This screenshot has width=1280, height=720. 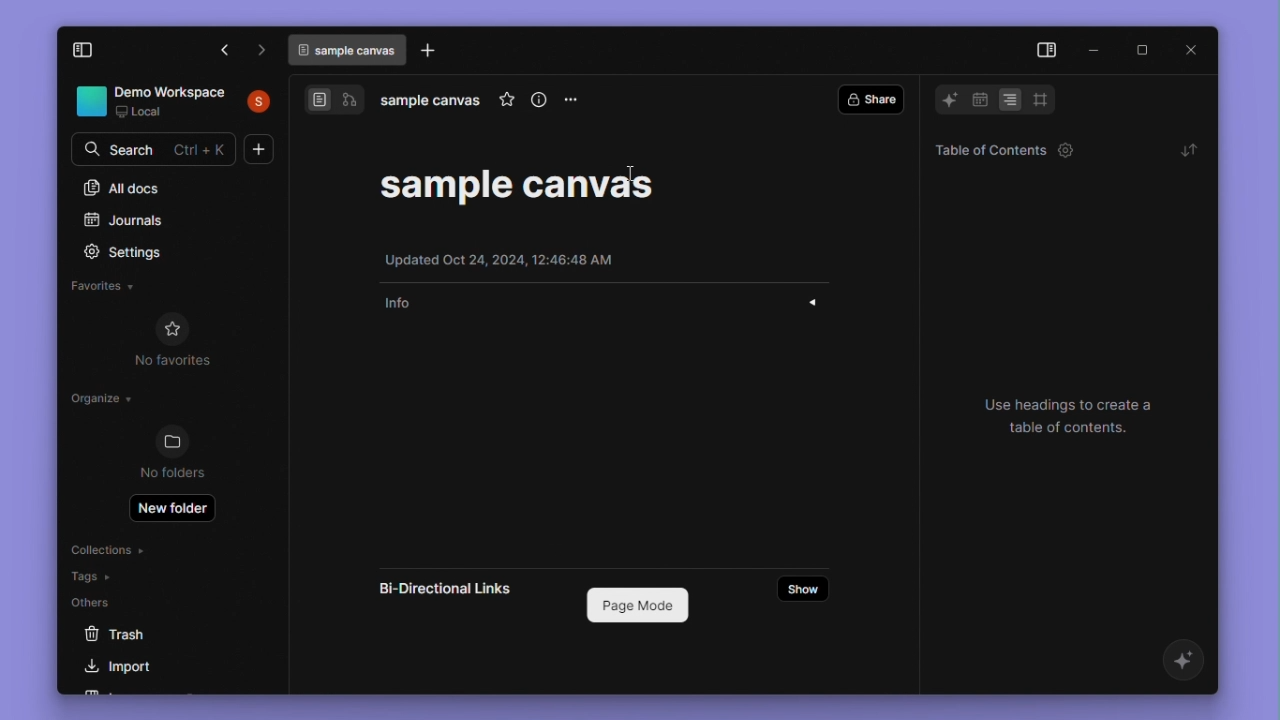 I want to click on info, so click(x=539, y=102).